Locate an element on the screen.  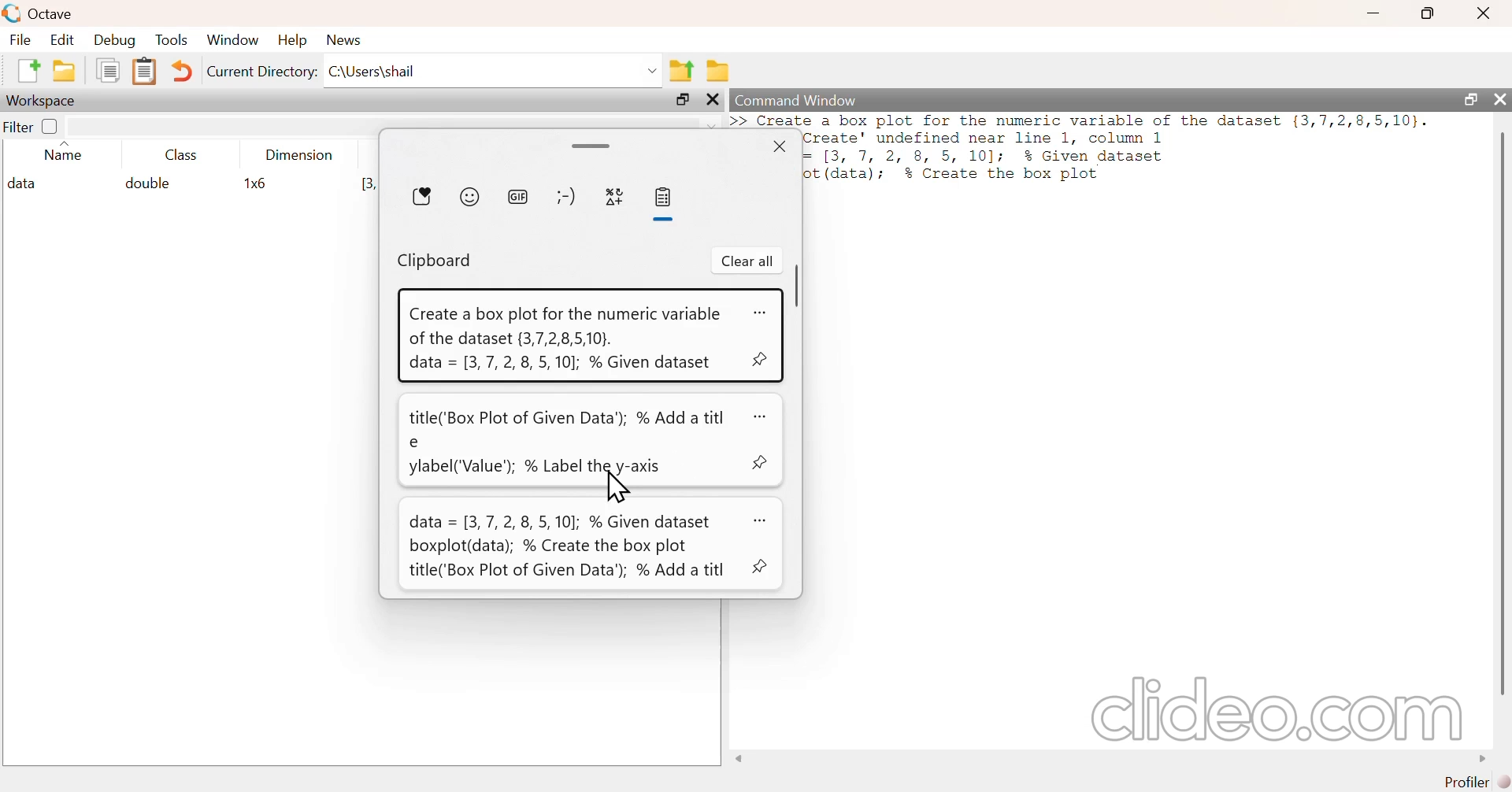
open an existing file in editor is located at coordinates (65, 71).